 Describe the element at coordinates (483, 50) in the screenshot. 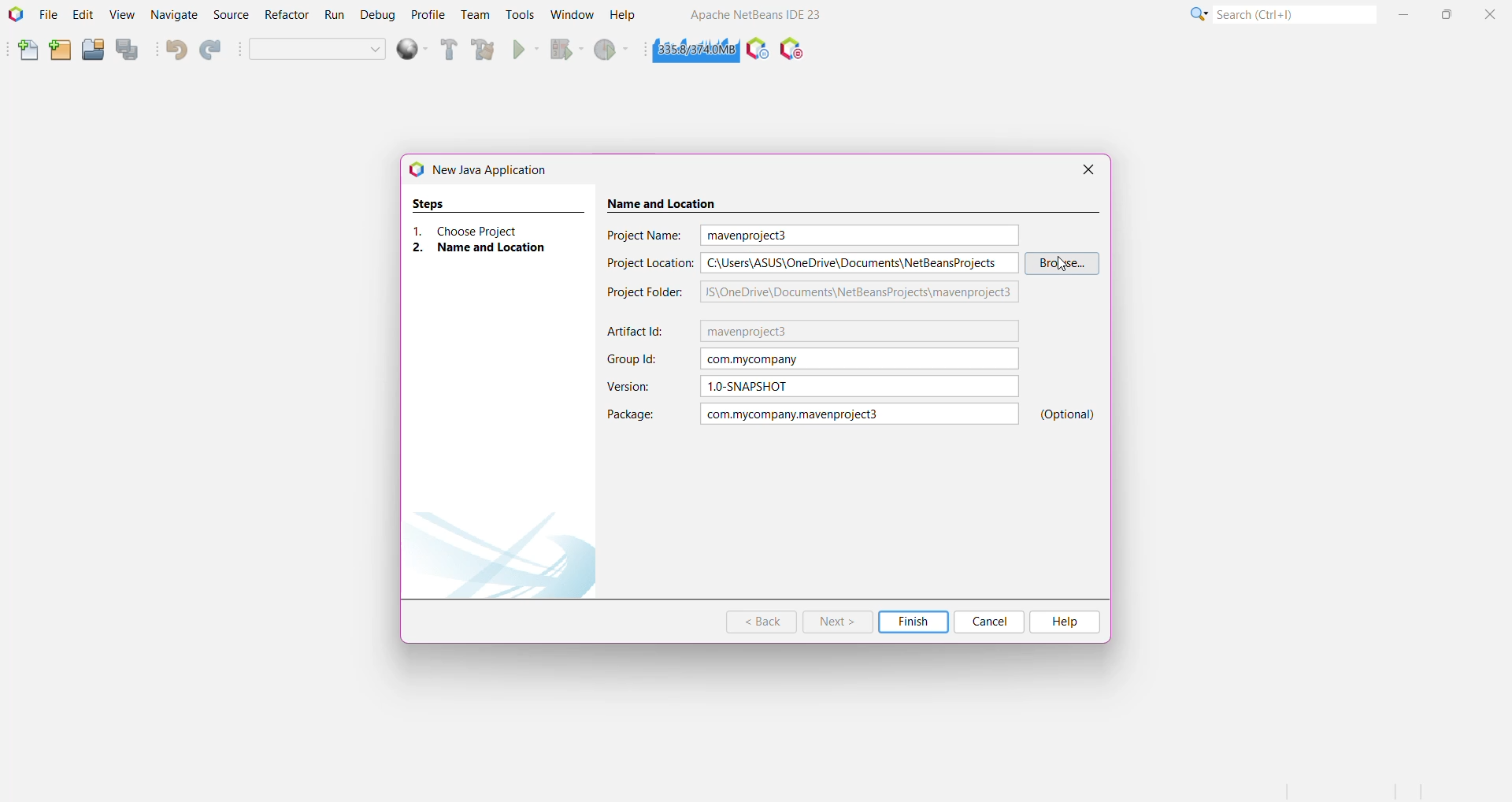

I see `Clean and Build Project` at that location.